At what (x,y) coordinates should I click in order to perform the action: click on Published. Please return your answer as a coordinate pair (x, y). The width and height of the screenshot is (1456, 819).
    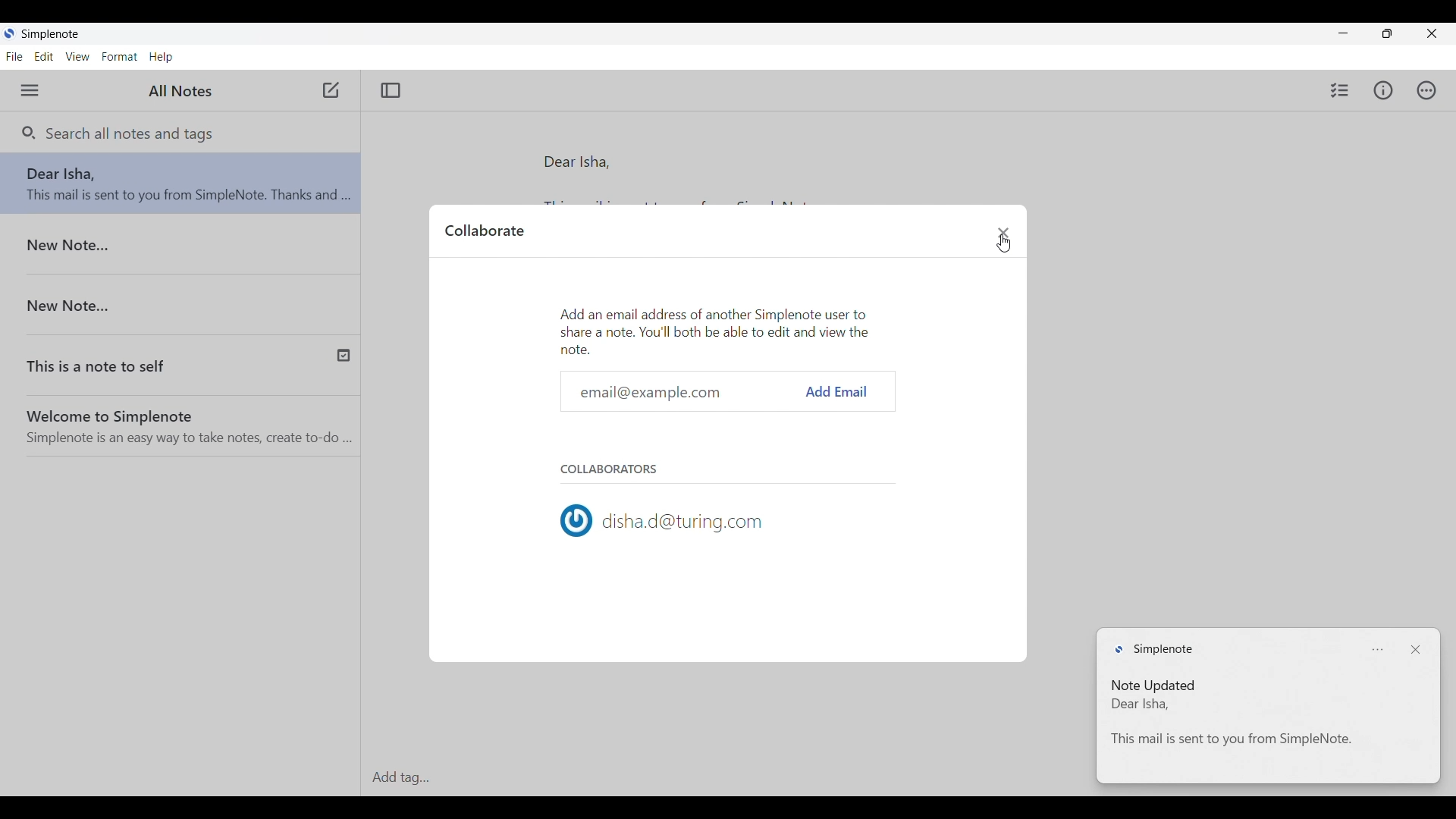
    Looking at the image, I should click on (342, 357).